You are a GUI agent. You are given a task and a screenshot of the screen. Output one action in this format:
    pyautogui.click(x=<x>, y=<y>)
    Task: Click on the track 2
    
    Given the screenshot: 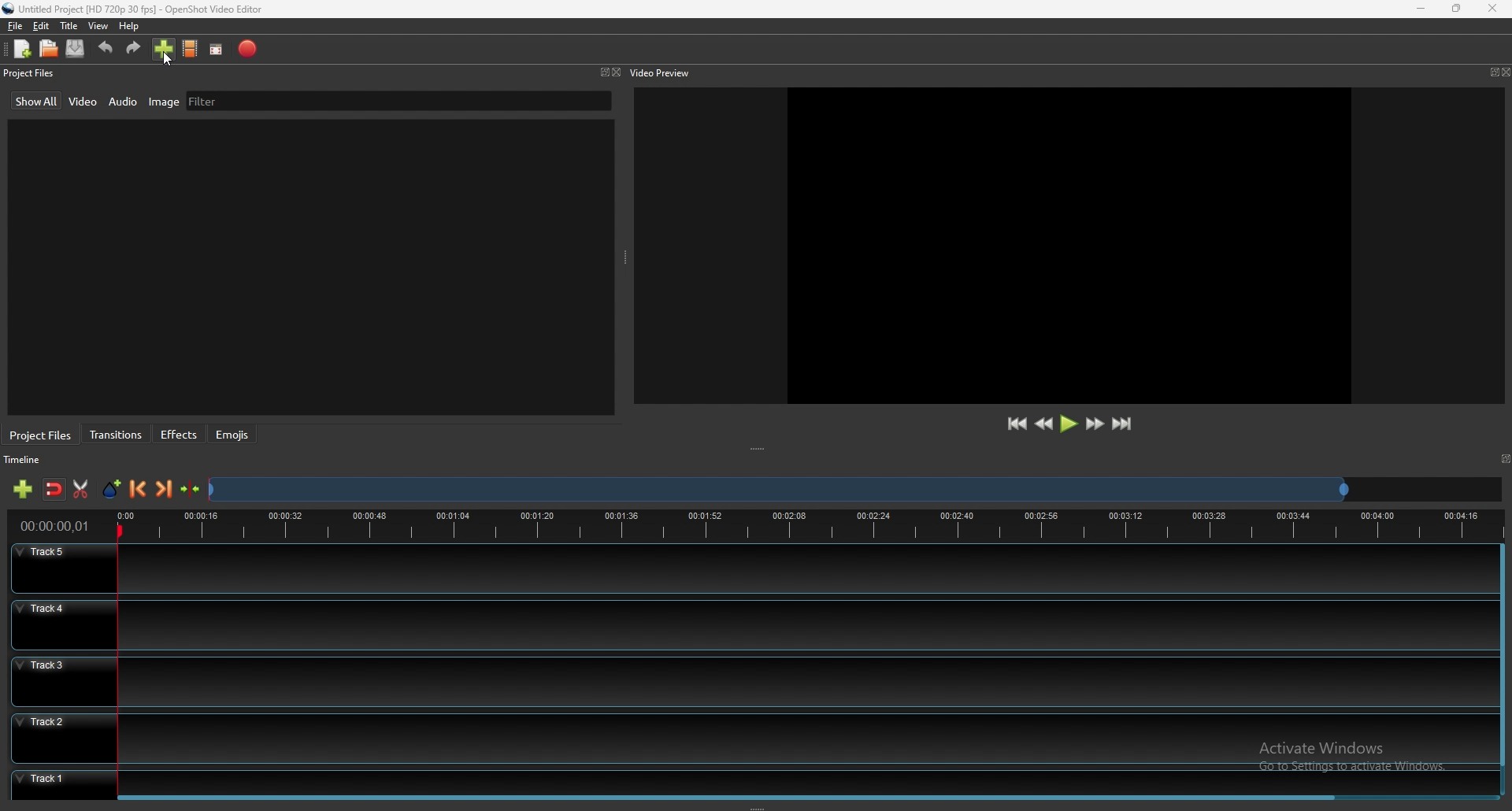 What is the action you would take?
    pyautogui.click(x=750, y=737)
    